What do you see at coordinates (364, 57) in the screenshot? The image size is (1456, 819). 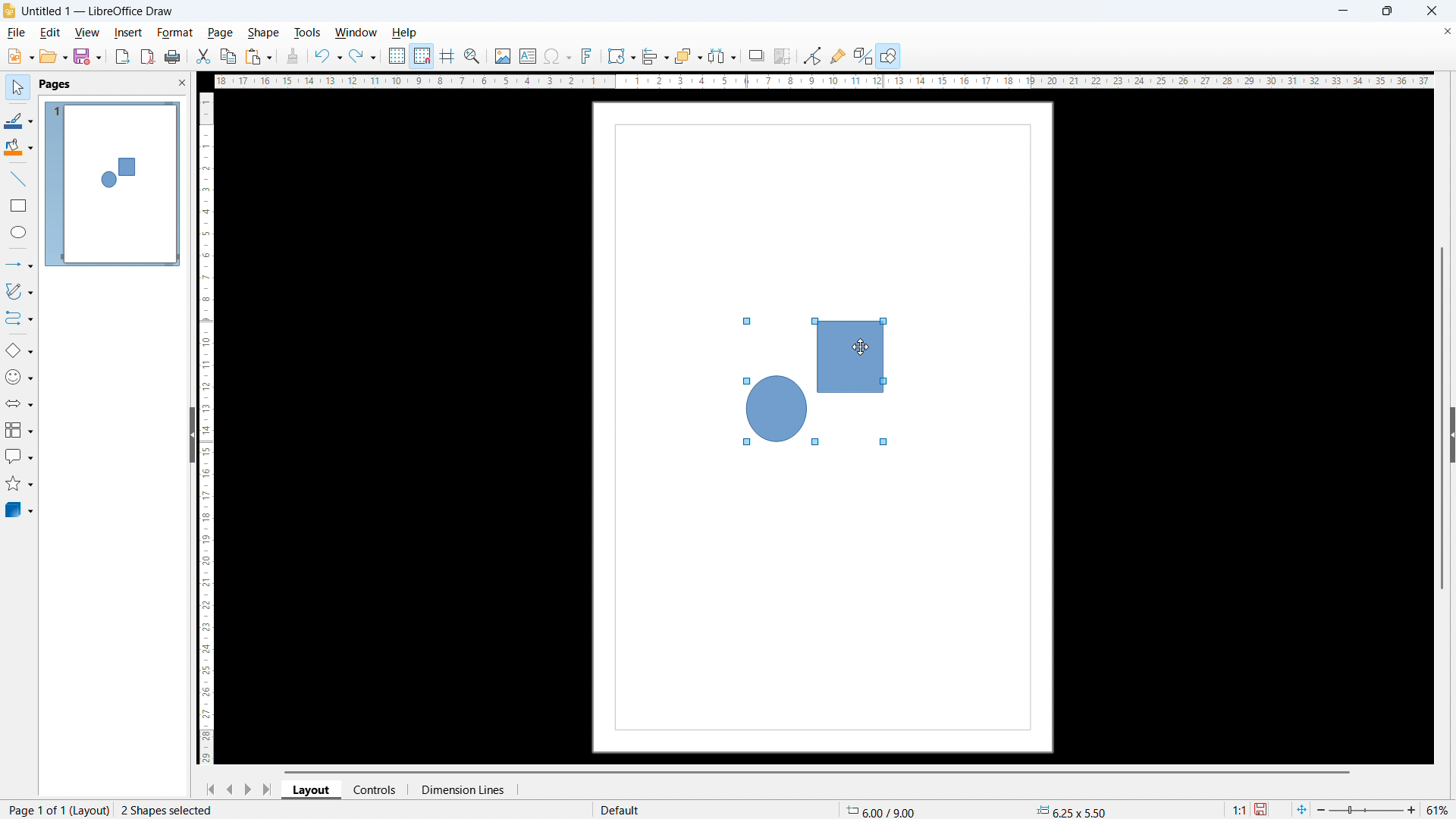 I see `redo` at bounding box center [364, 57].